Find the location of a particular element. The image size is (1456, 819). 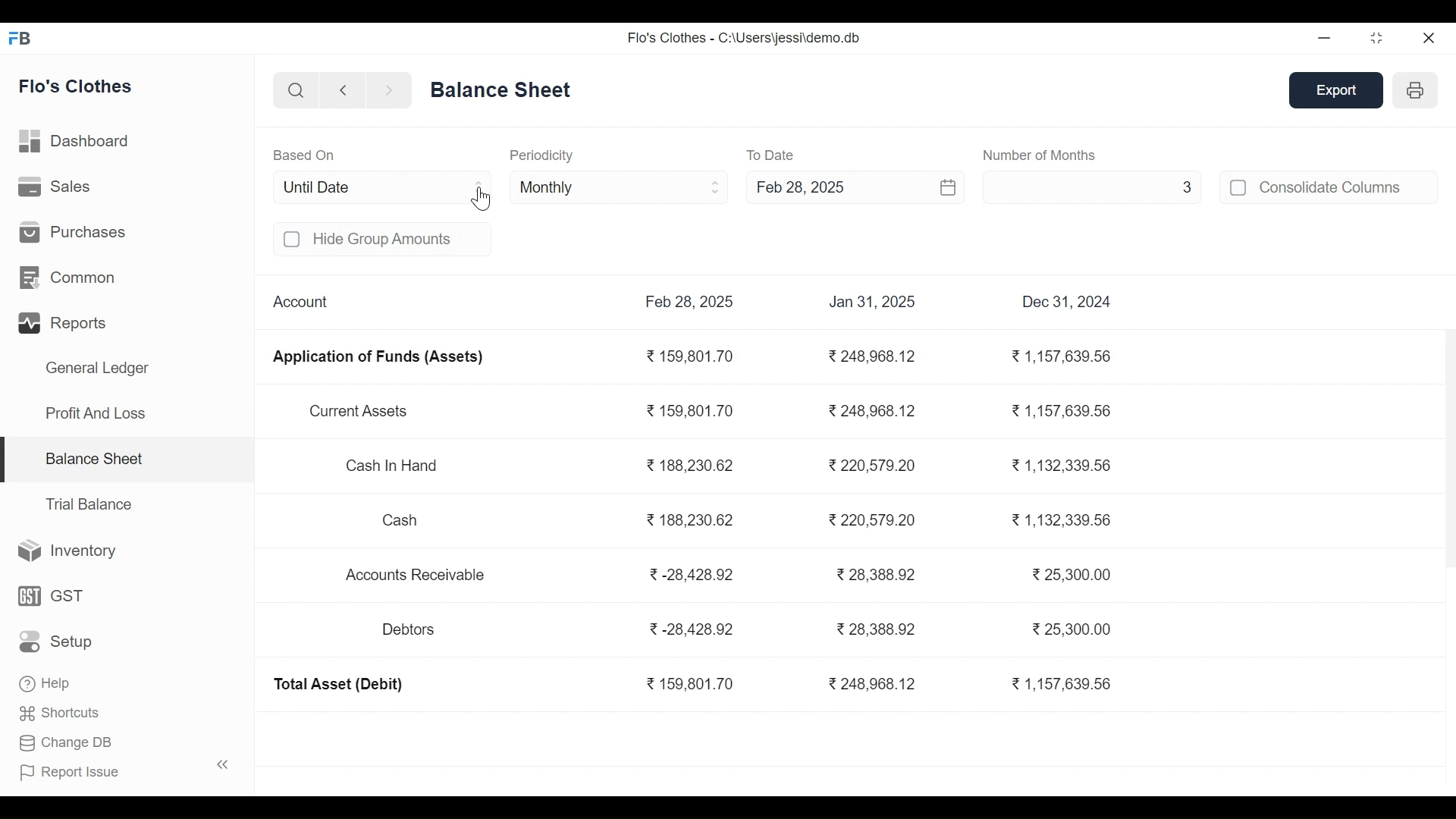

To Date is located at coordinates (773, 155).